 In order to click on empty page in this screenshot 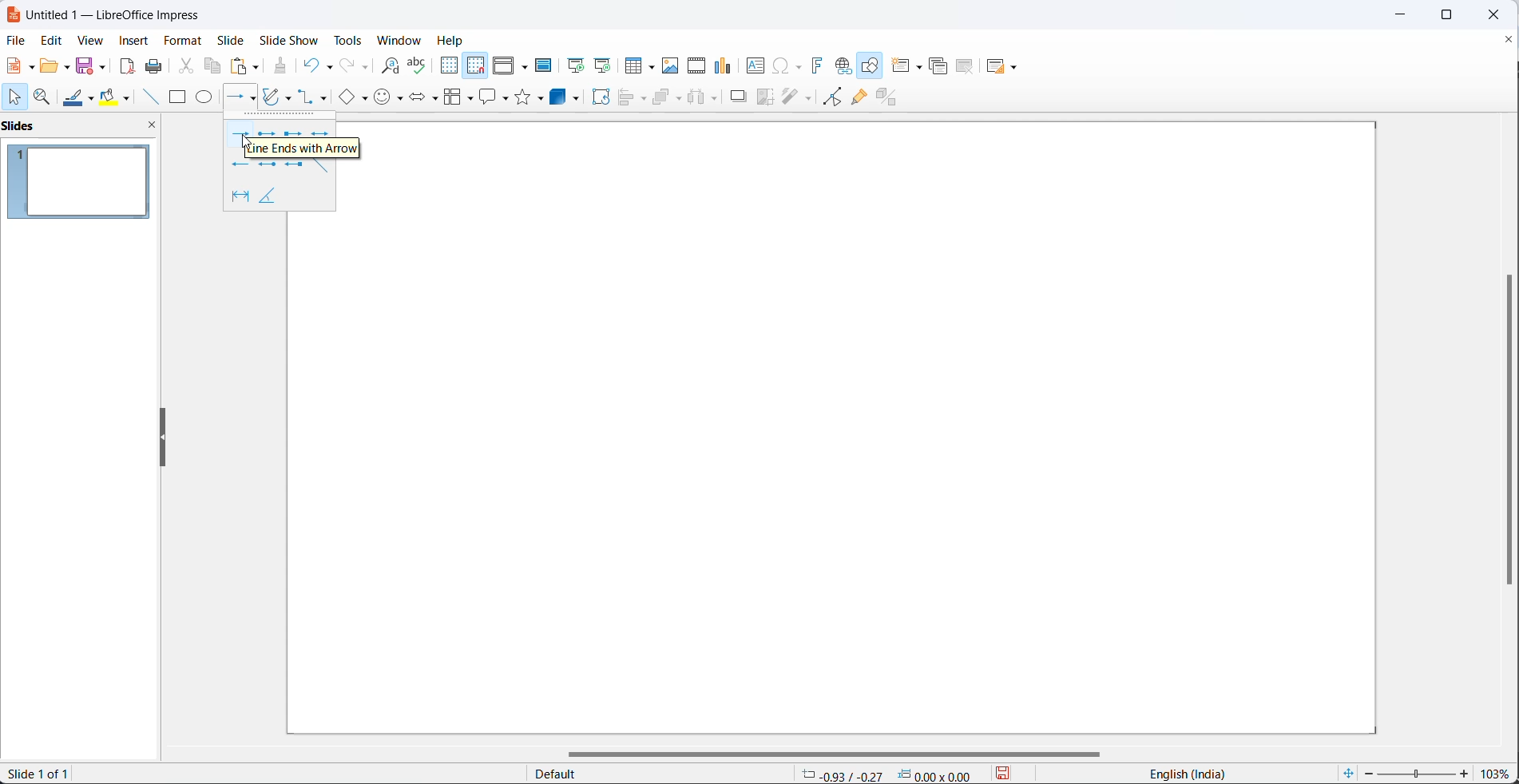, I will do `click(872, 135)`.